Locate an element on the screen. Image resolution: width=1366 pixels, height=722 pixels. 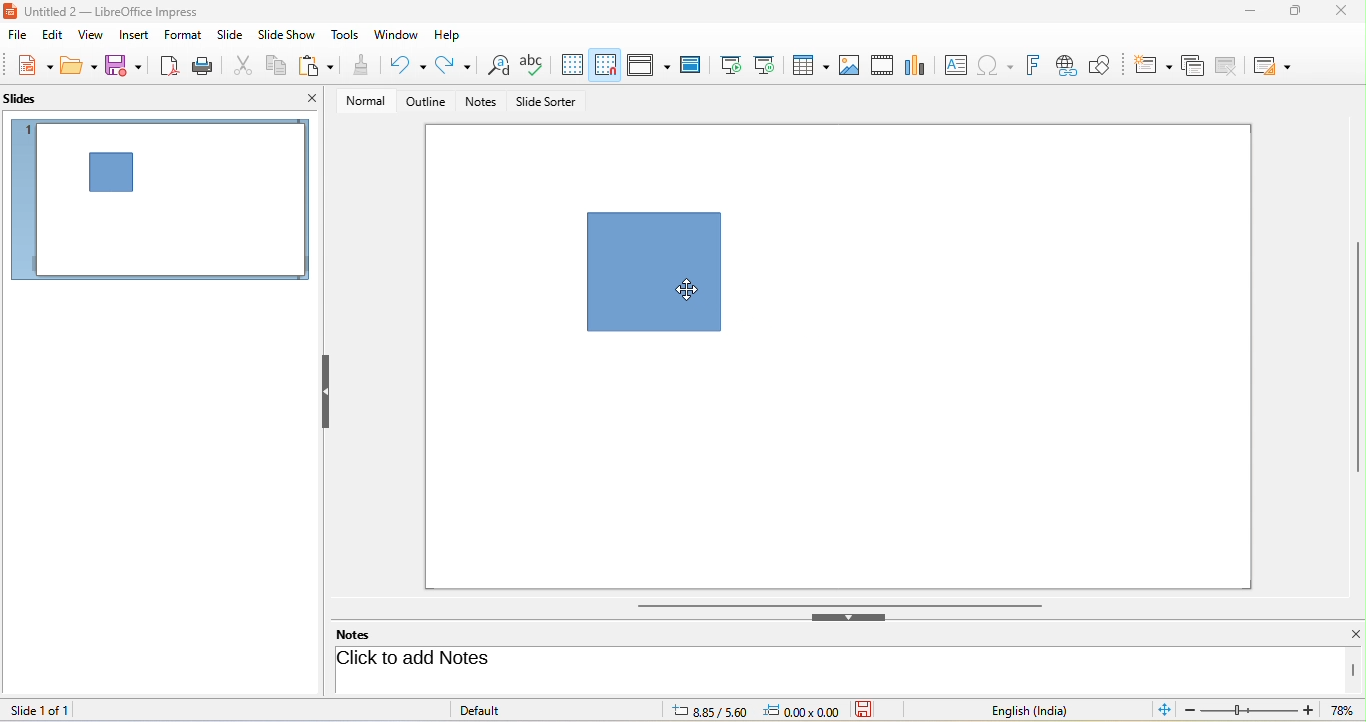
vertical scroll bar is located at coordinates (1354, 670).